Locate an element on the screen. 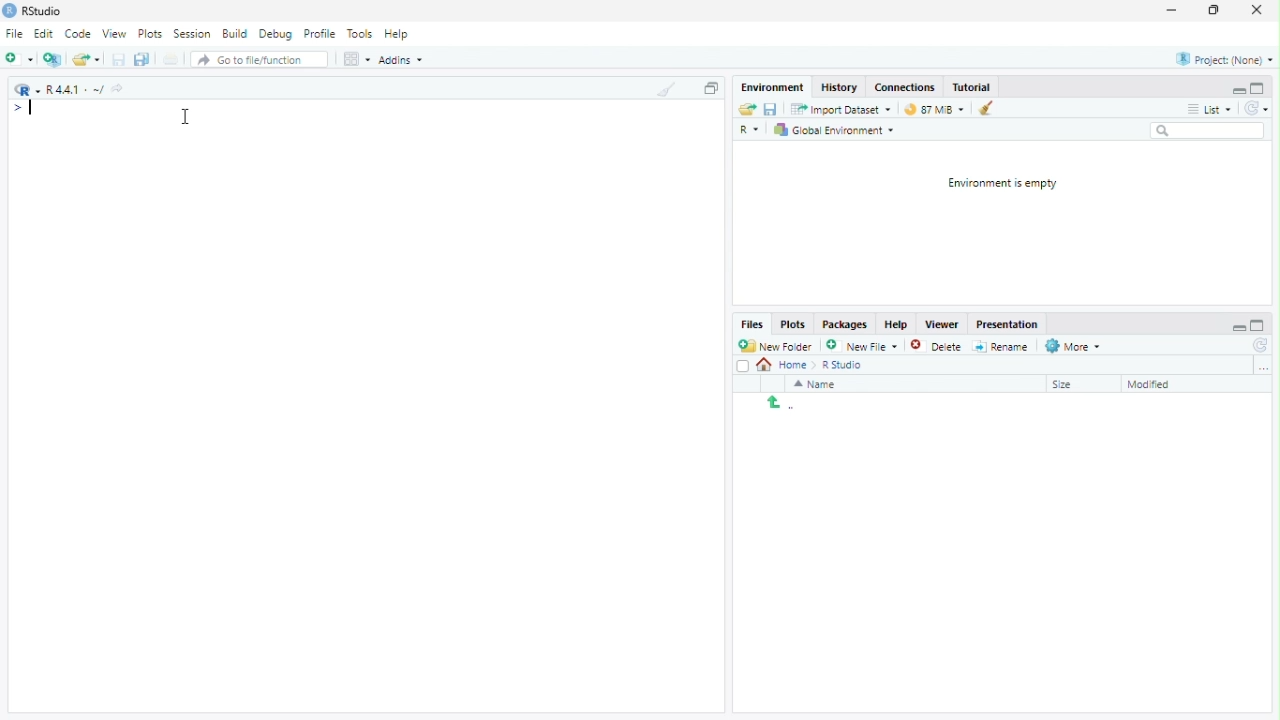 This screenshot has width=1280, height=720. Open is located at coordinates (748, 109).